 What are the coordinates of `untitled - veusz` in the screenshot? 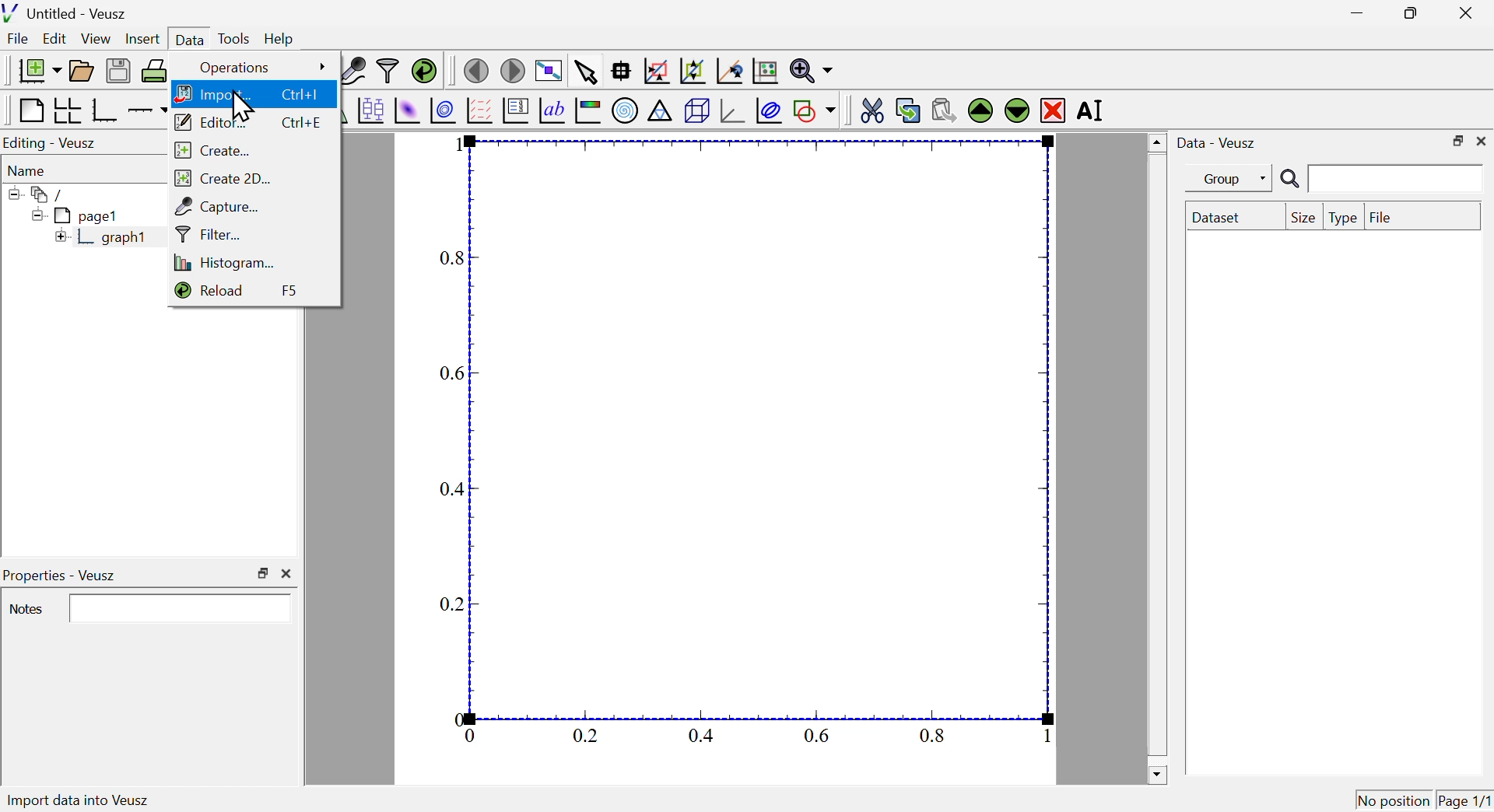 It's located at (67, 12).